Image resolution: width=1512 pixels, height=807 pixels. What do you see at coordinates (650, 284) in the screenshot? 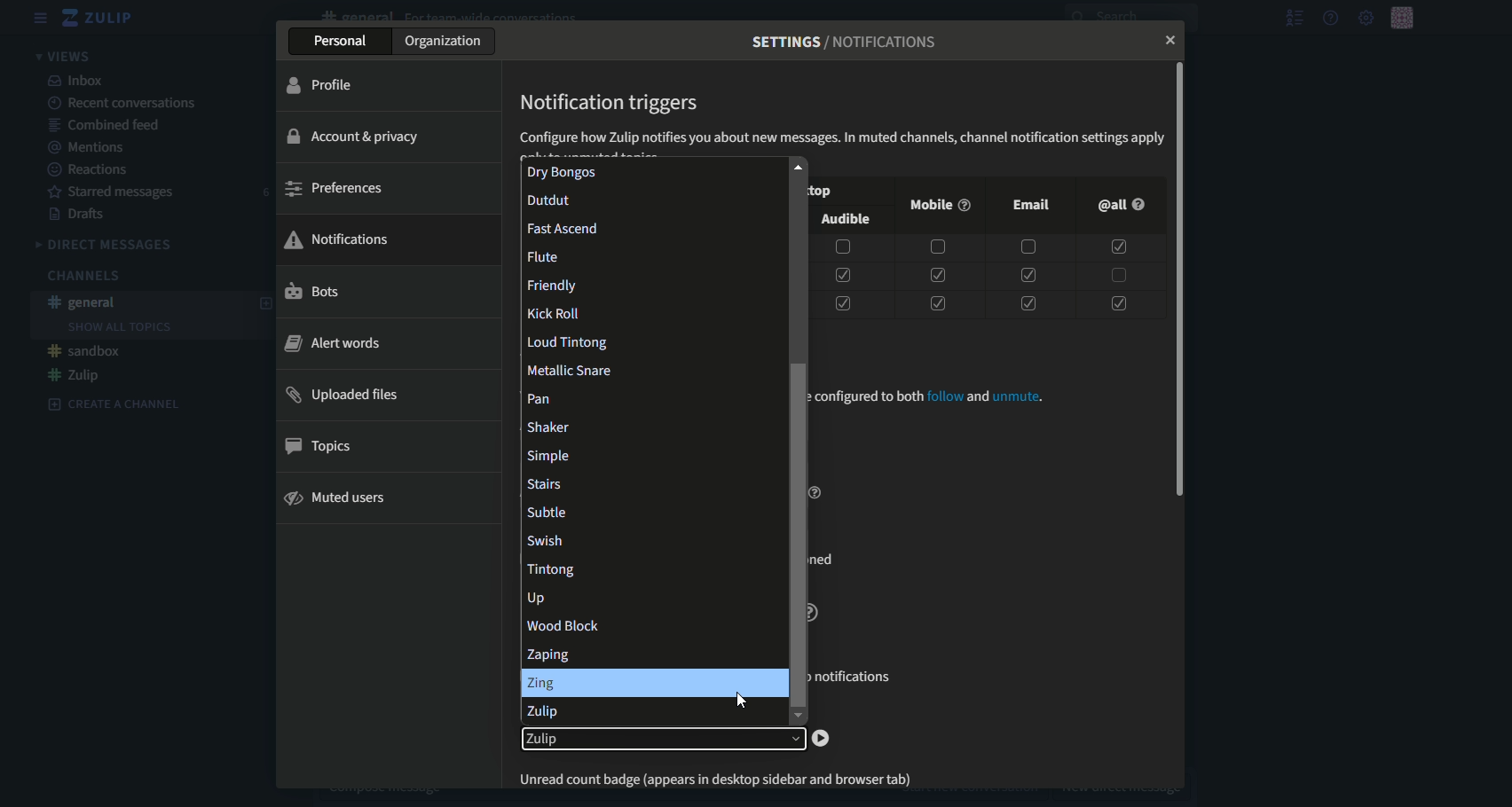
I see `friendly` at bounding box center [650, 284].